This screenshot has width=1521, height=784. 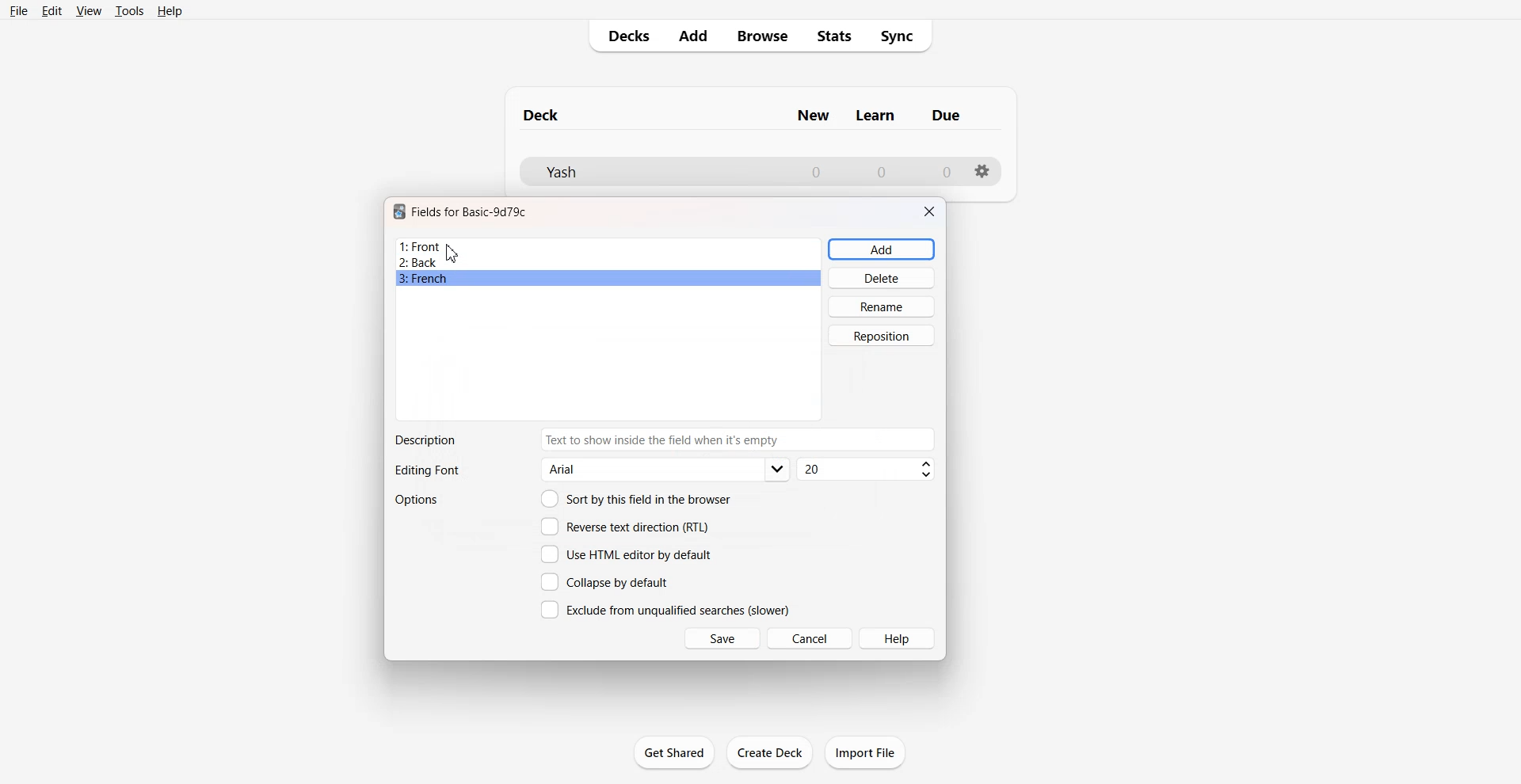 I want to click on Number of Learn cards, so click(x=882, y=171).